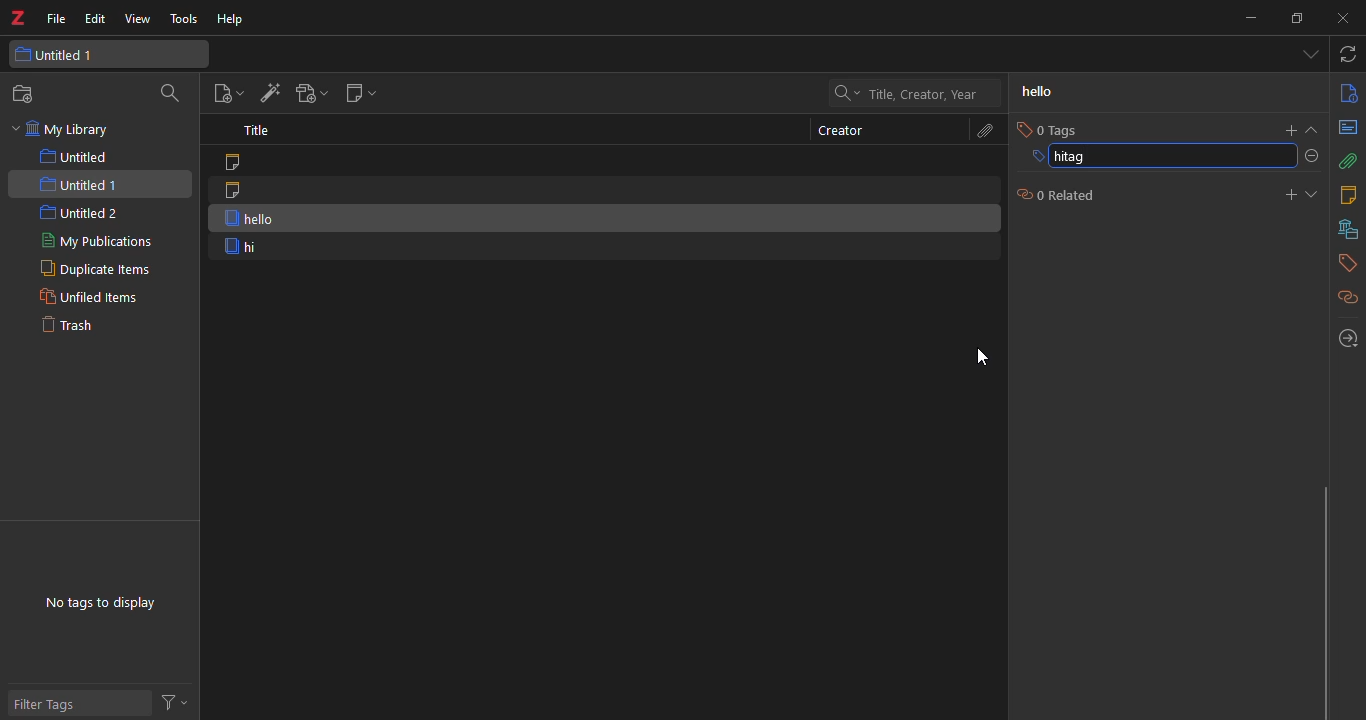 The width and height of the screenshot is (1366, 720). What do you see at coordinates (106, 595) in the screenshot?
I see `no tags to display` at bounding box center [106, 595].